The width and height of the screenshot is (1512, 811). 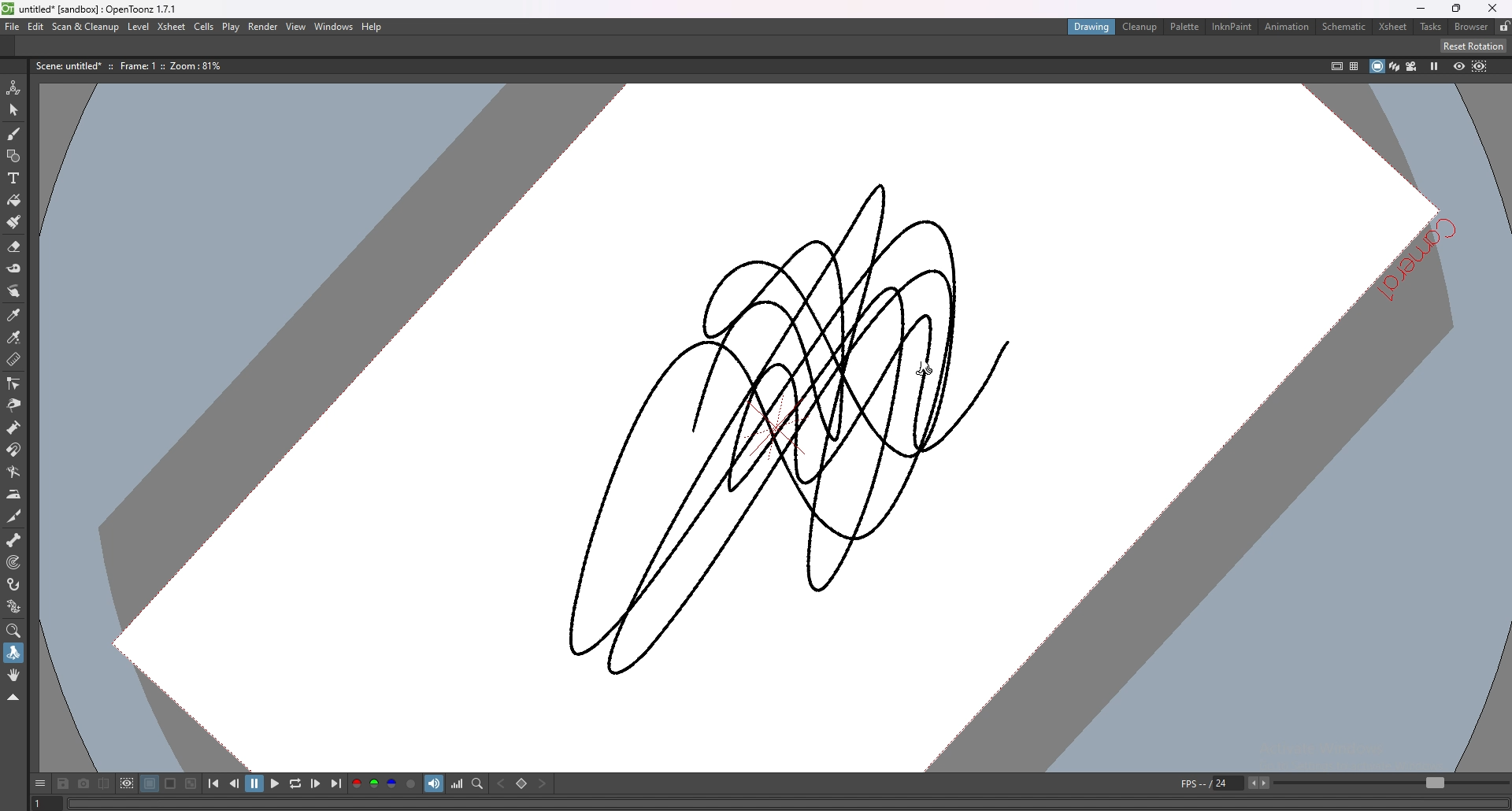 What do you see at coordinates (315, 784) in the screenshot?
I see `next frame` at bounding box center [315, 784].